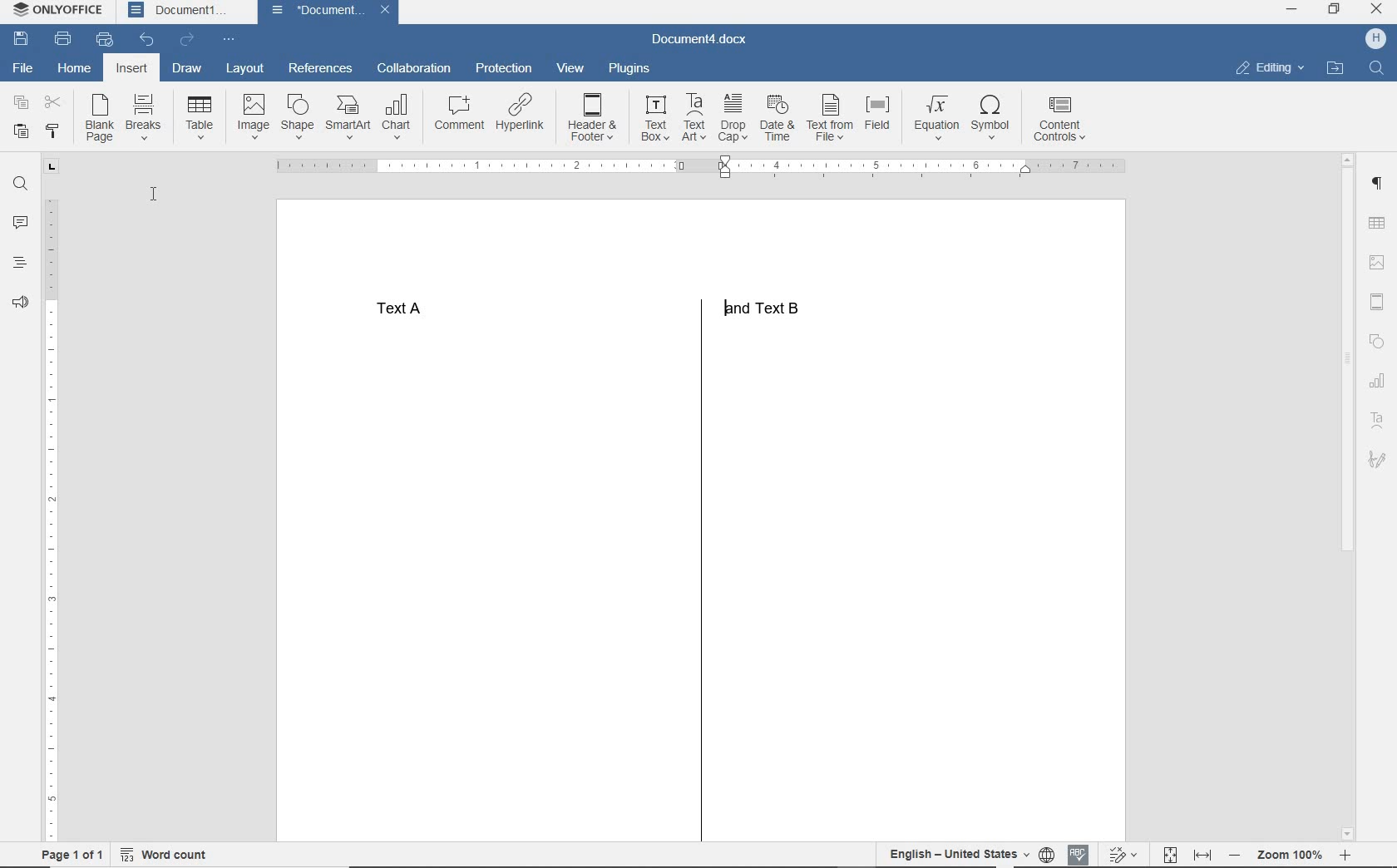  What do you see at coordinates (188, 67) in the screenshot?
I see `DRAW` at bounding box center [188, 67].